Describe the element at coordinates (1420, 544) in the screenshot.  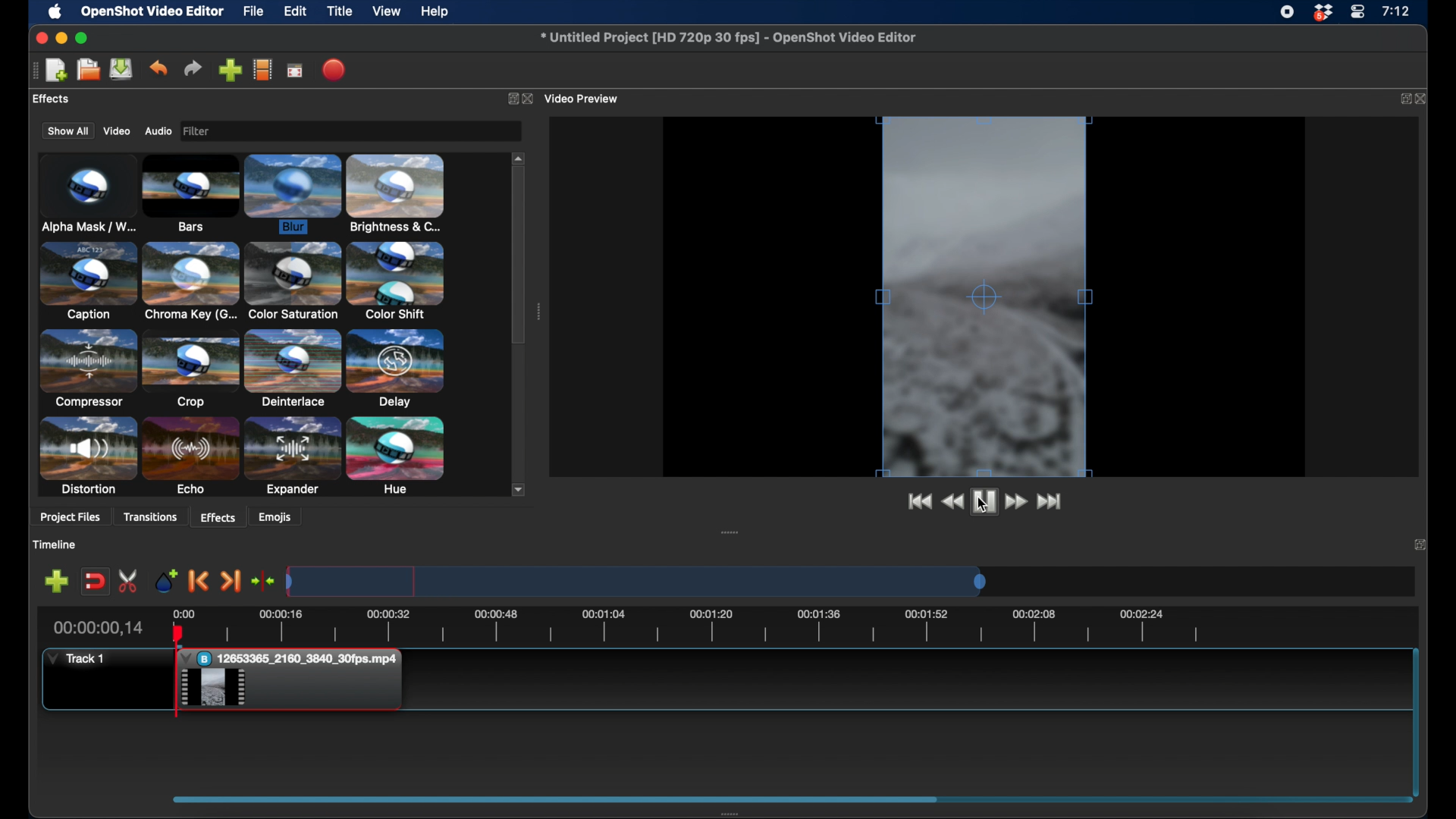
I see `expand` at that location.